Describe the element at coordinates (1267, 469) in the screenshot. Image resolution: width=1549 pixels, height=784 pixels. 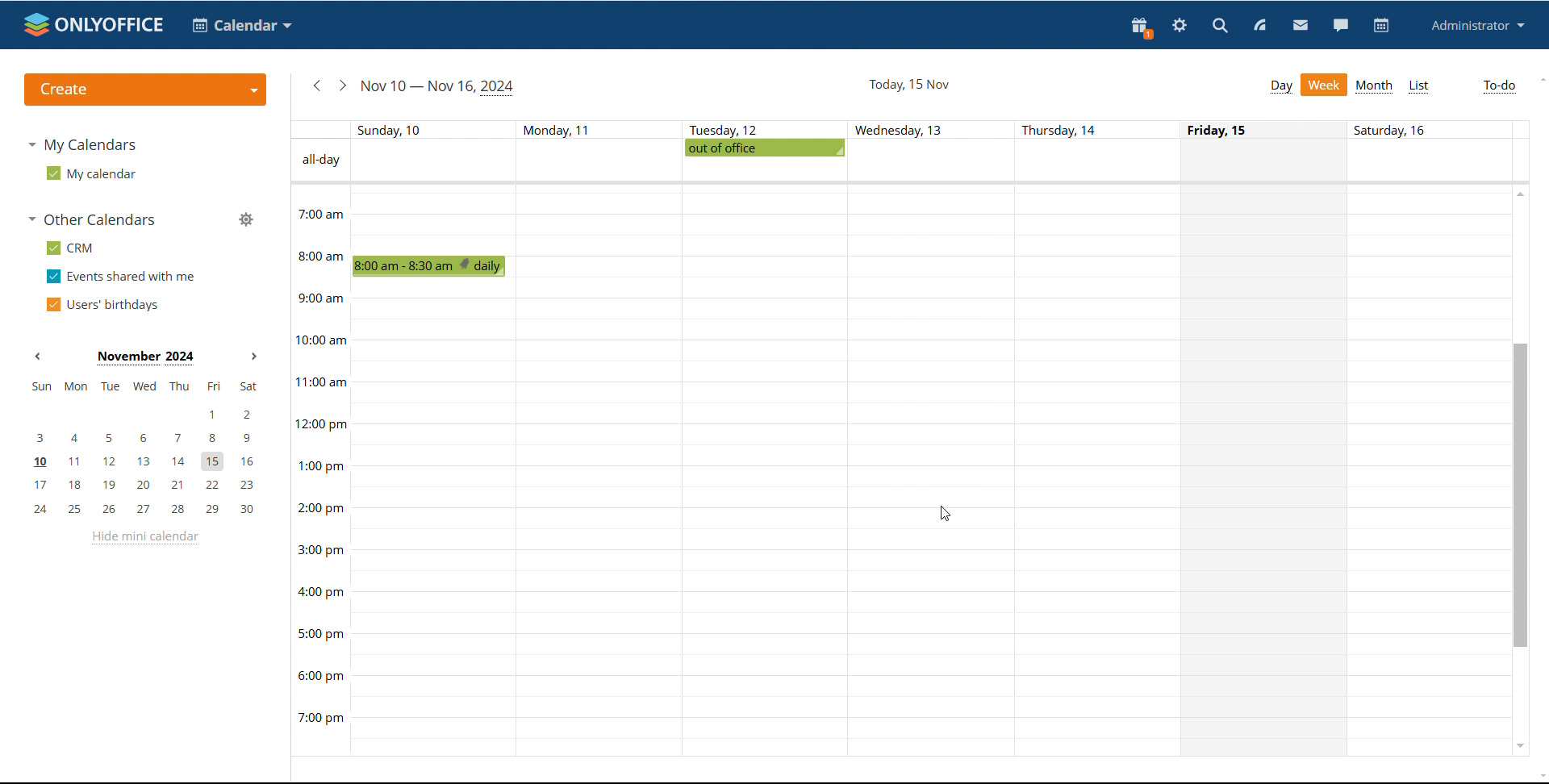
I see `schedule for individual day` at that location.